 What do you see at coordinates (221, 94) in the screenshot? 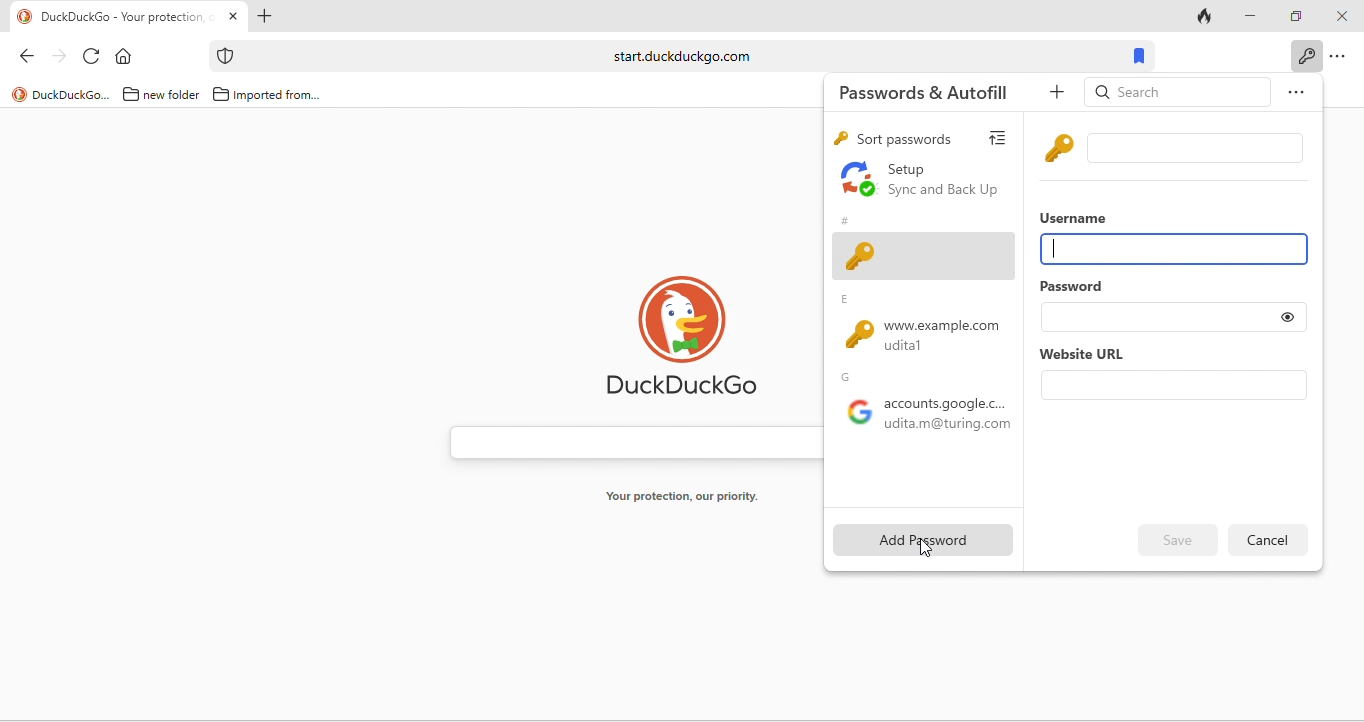
I see `folder icon` at bounding box center [221, 94].